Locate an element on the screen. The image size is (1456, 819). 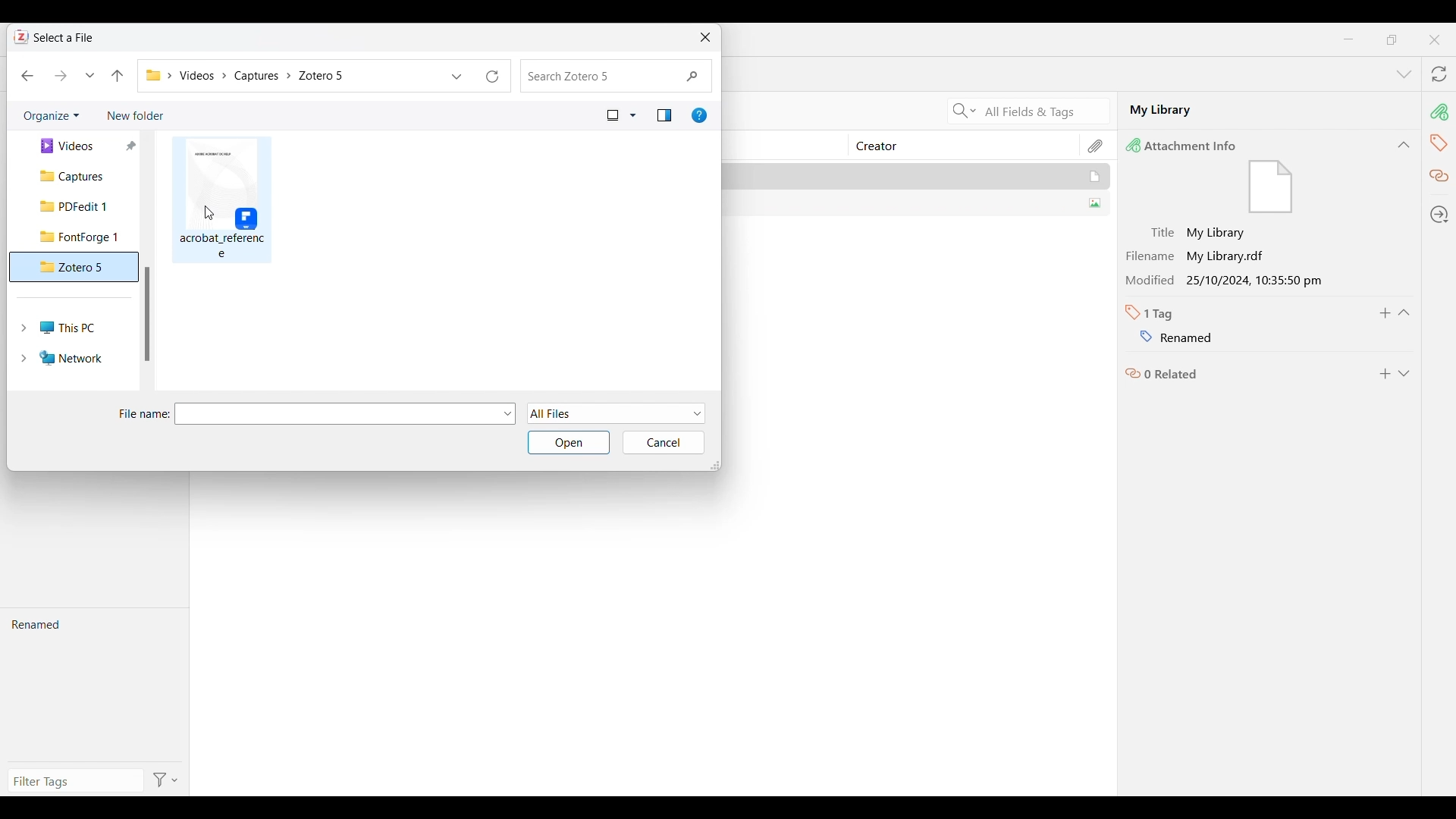
FontForge 1 folder is located at coordinates (80, 237).